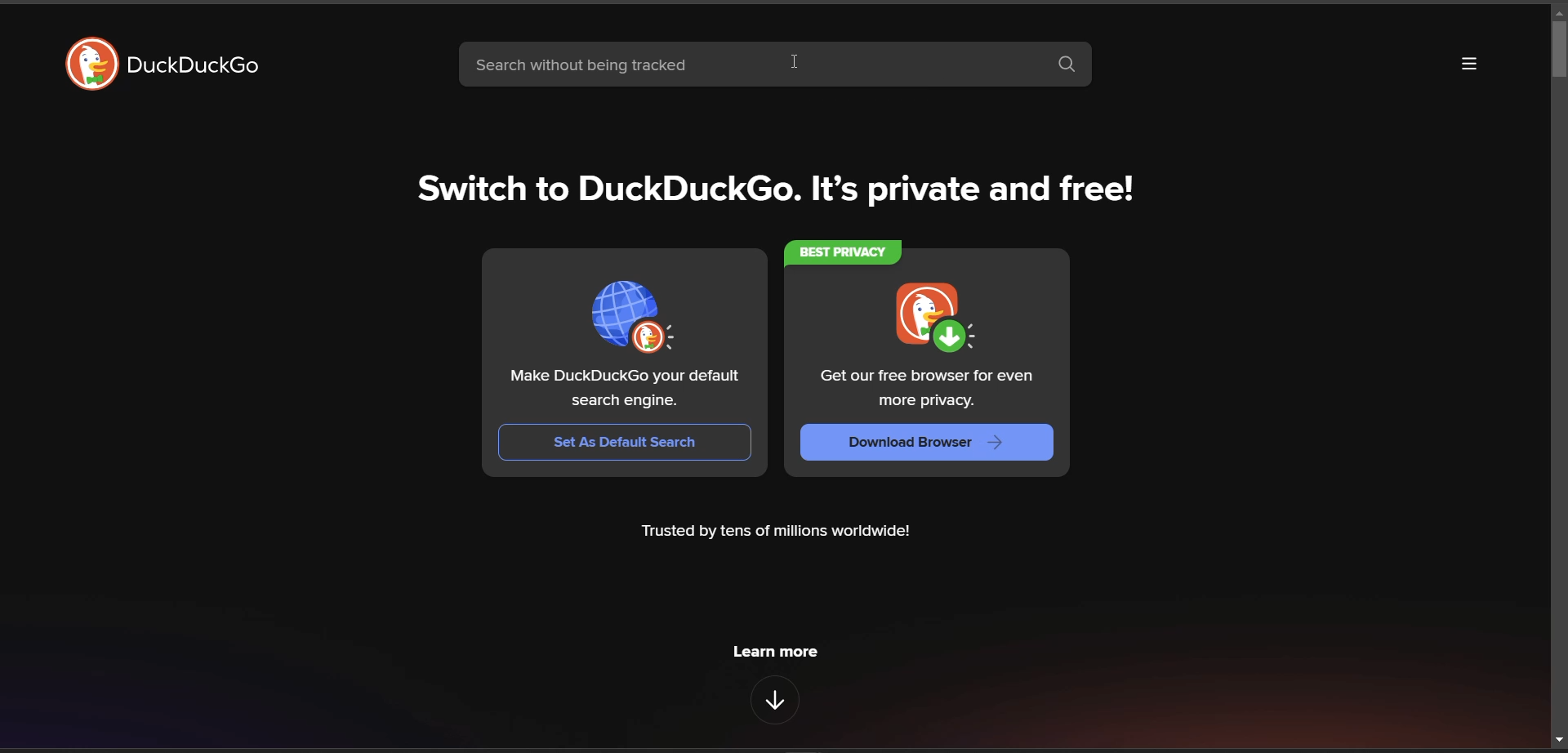 The width and height of the screenshot is (1568, 753). I want to click on text, so click(927, 390).